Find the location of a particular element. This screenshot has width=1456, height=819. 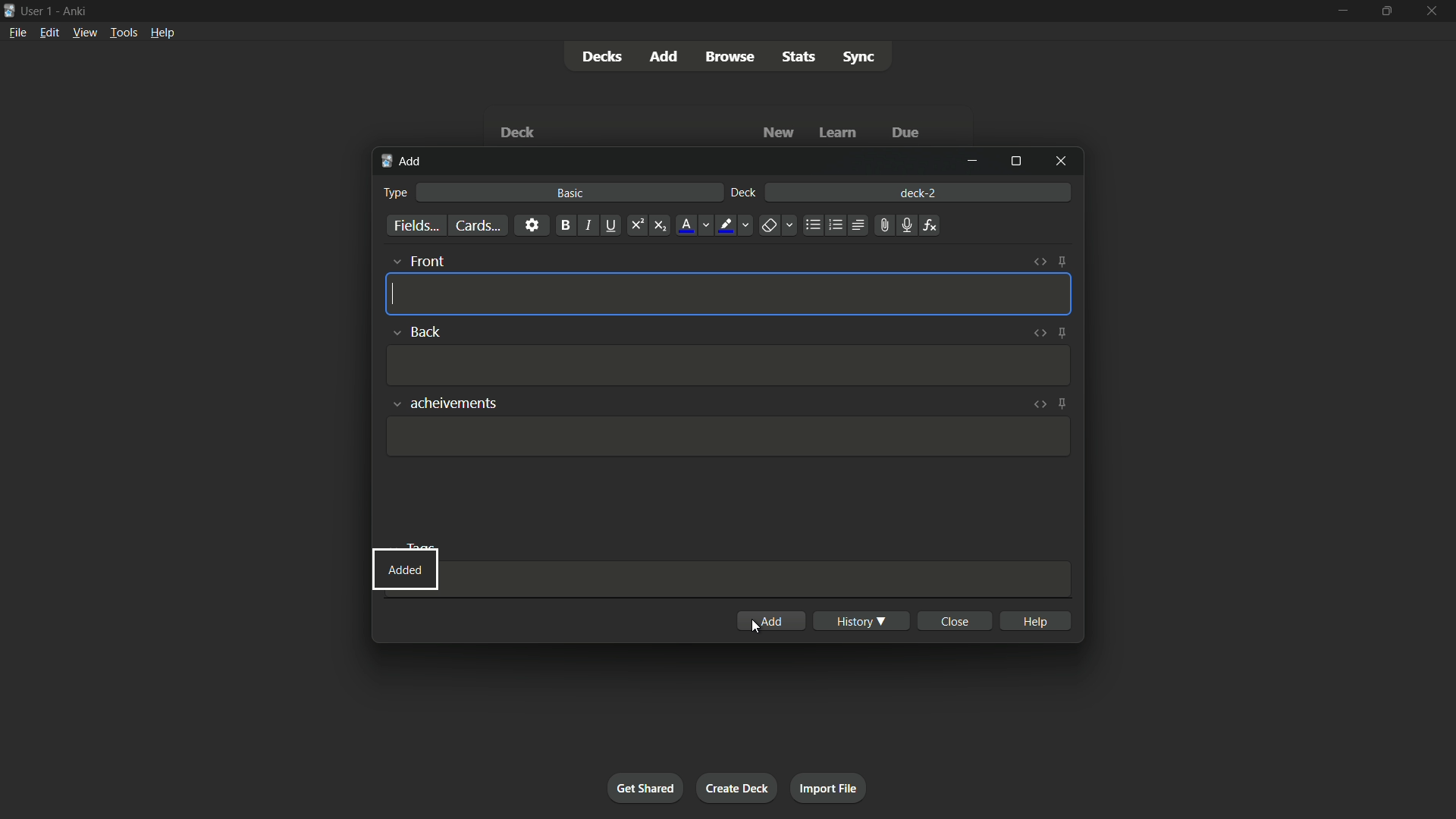

decks is located at coordinates (600, 56).